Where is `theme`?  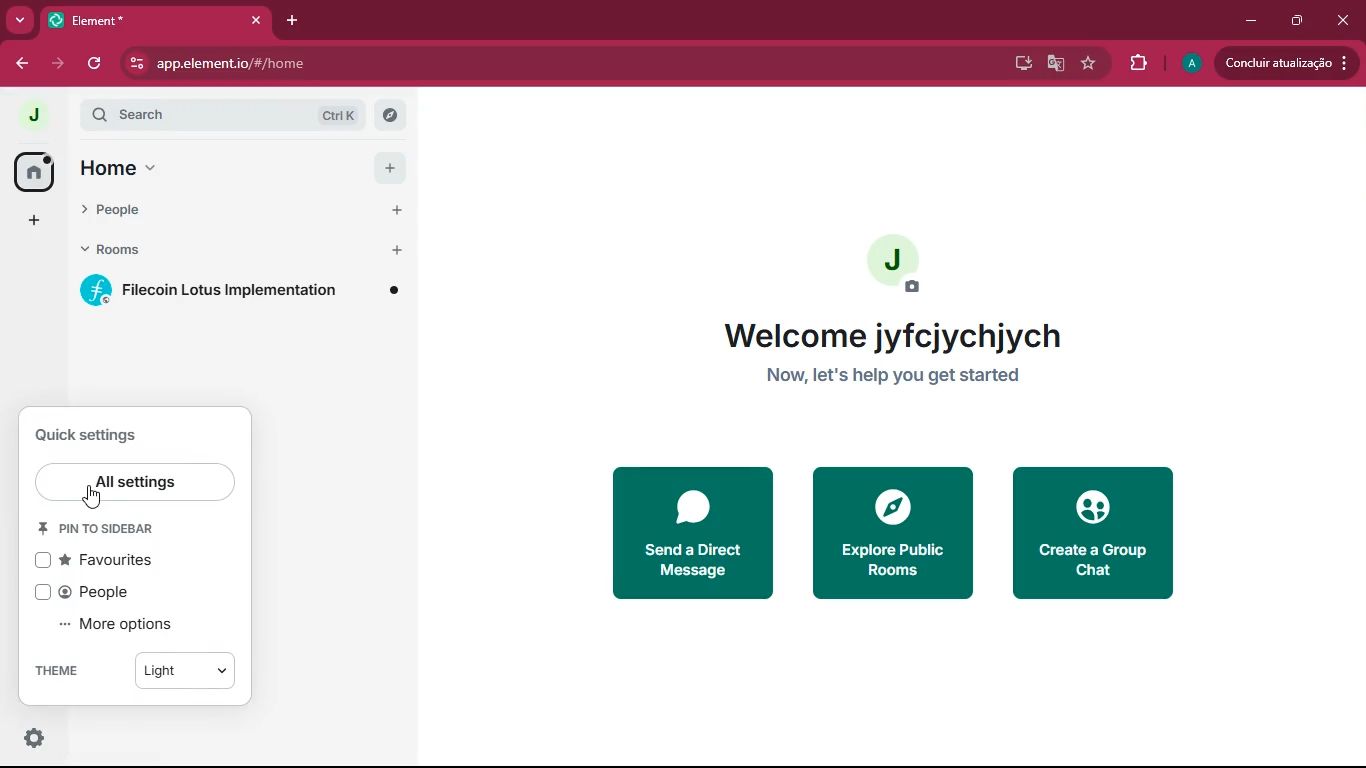 theme is located at coordinates (60, 669).